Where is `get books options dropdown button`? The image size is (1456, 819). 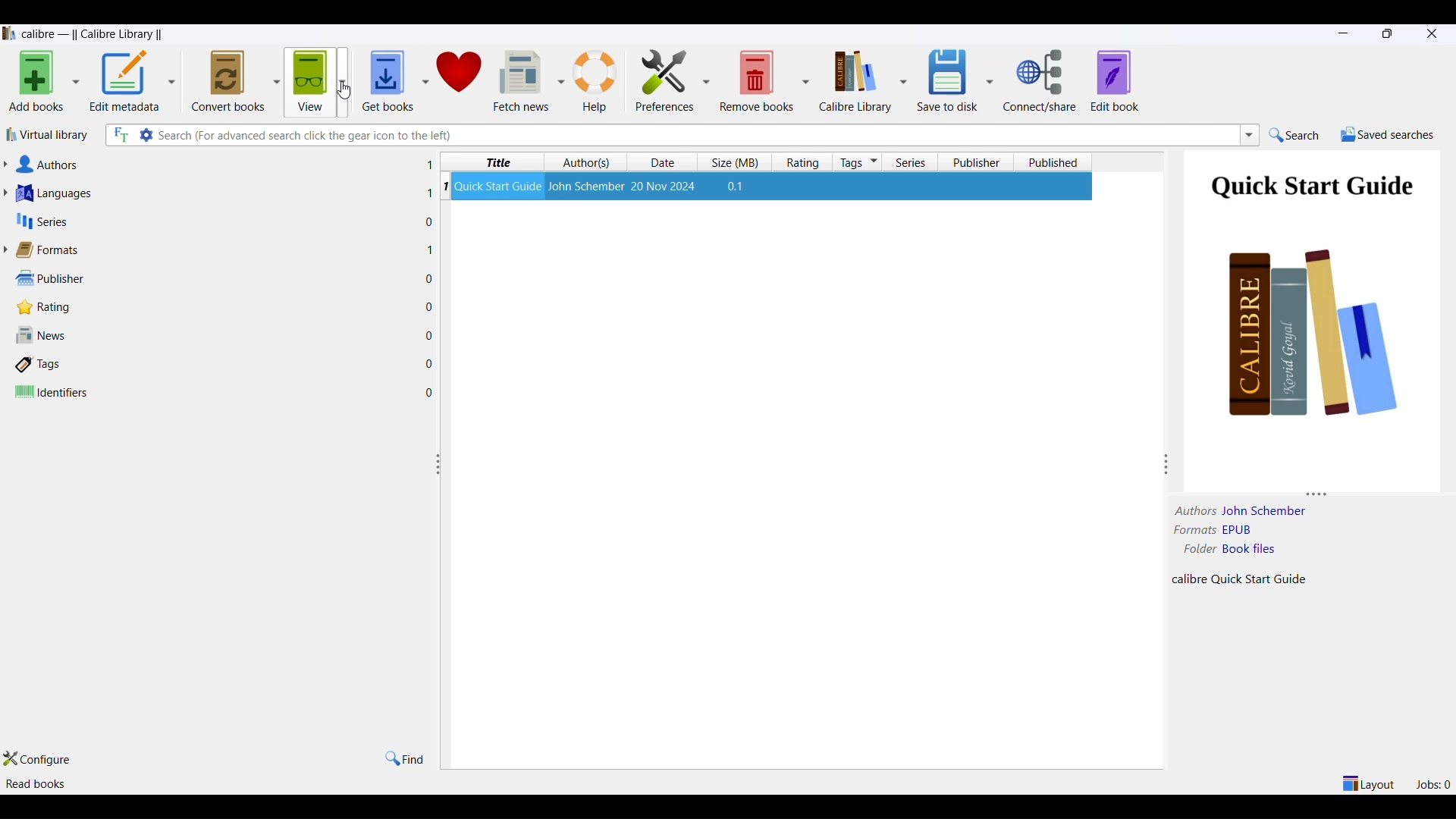 get books options dropdown button is located at coordinates (425, 80).